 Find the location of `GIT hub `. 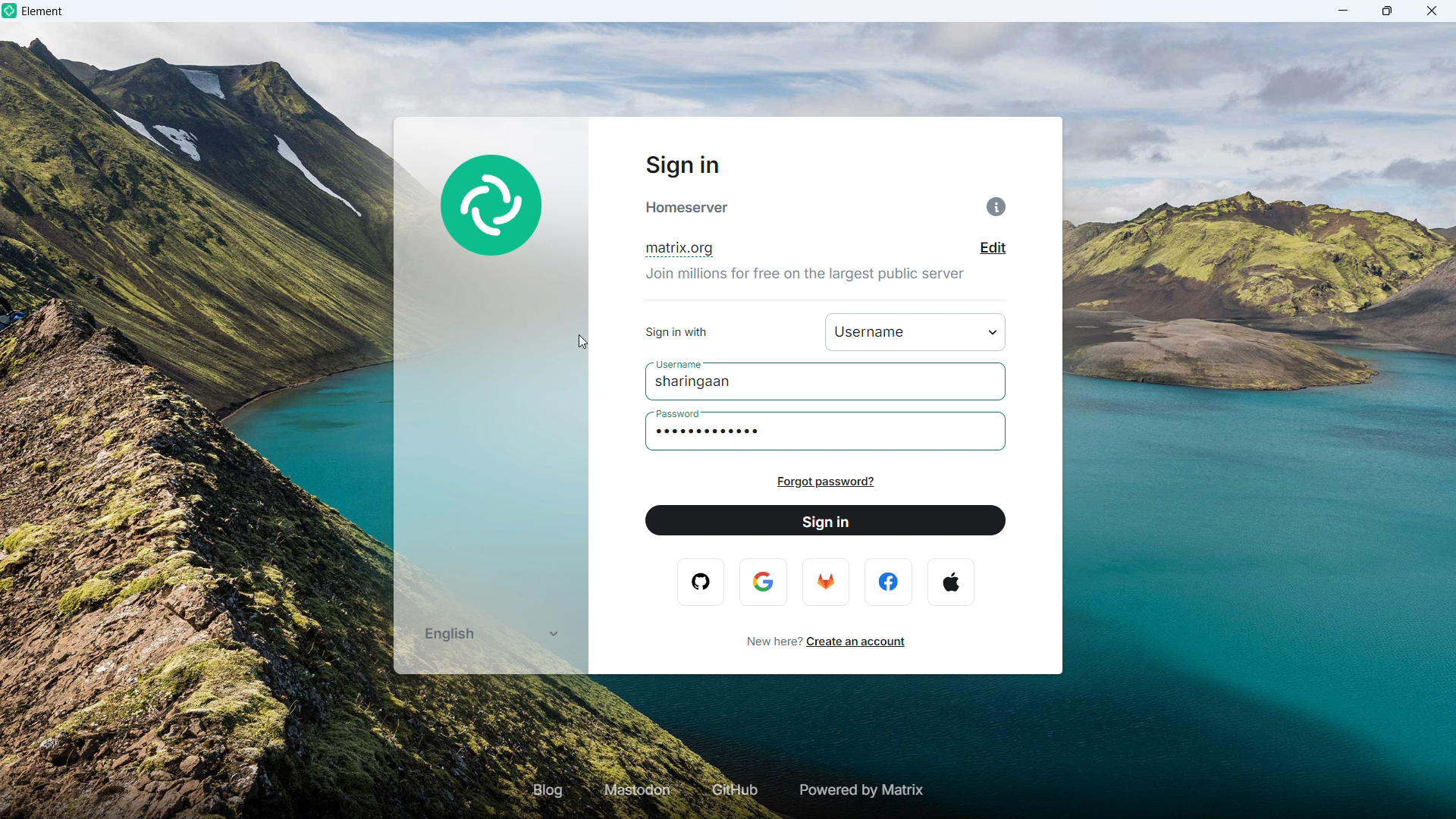

GIT hub  is located at coordinates (732, 791).